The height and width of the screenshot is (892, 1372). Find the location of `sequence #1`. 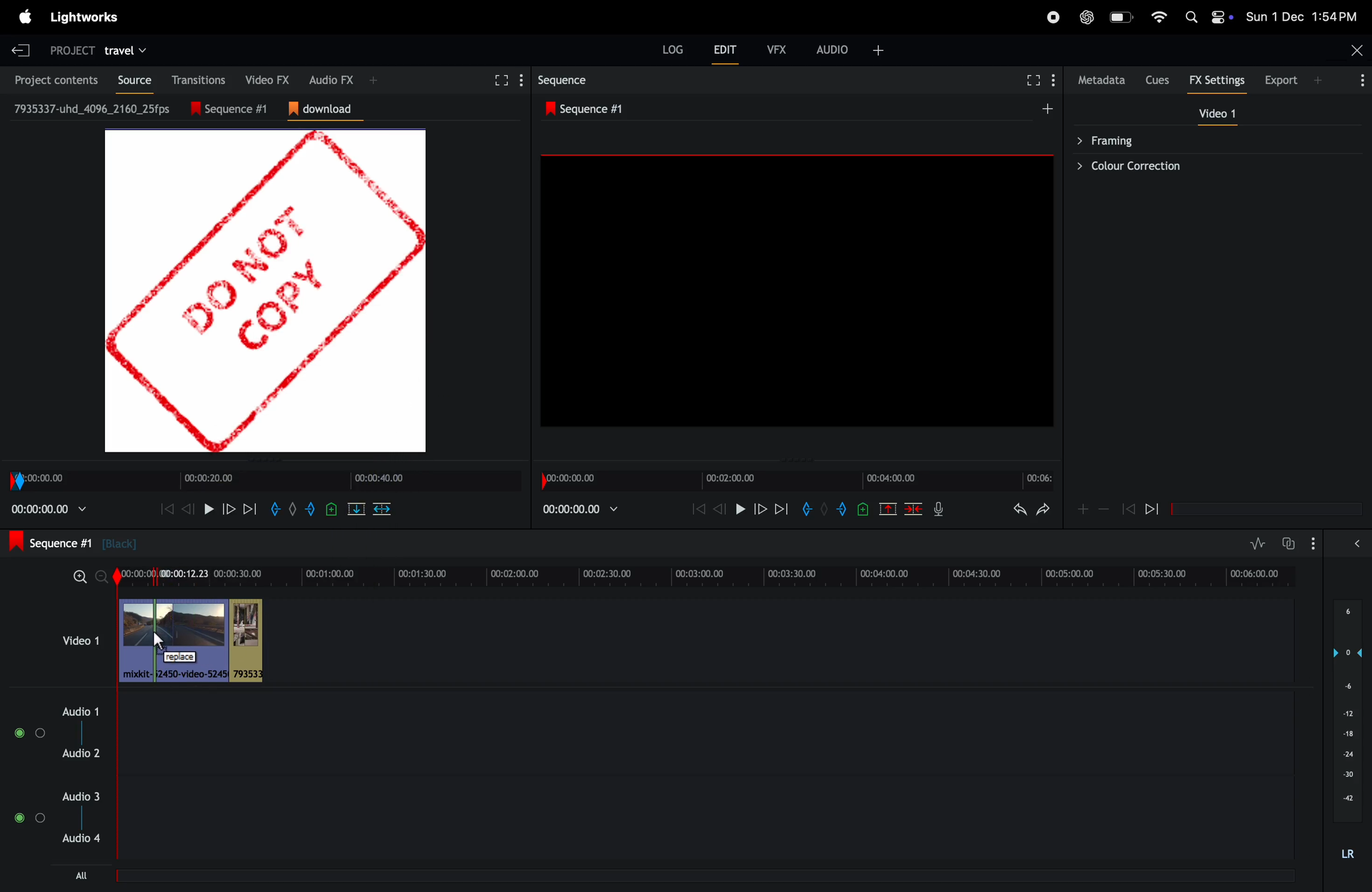

sequence #1 is located at coordinates (73, 542).